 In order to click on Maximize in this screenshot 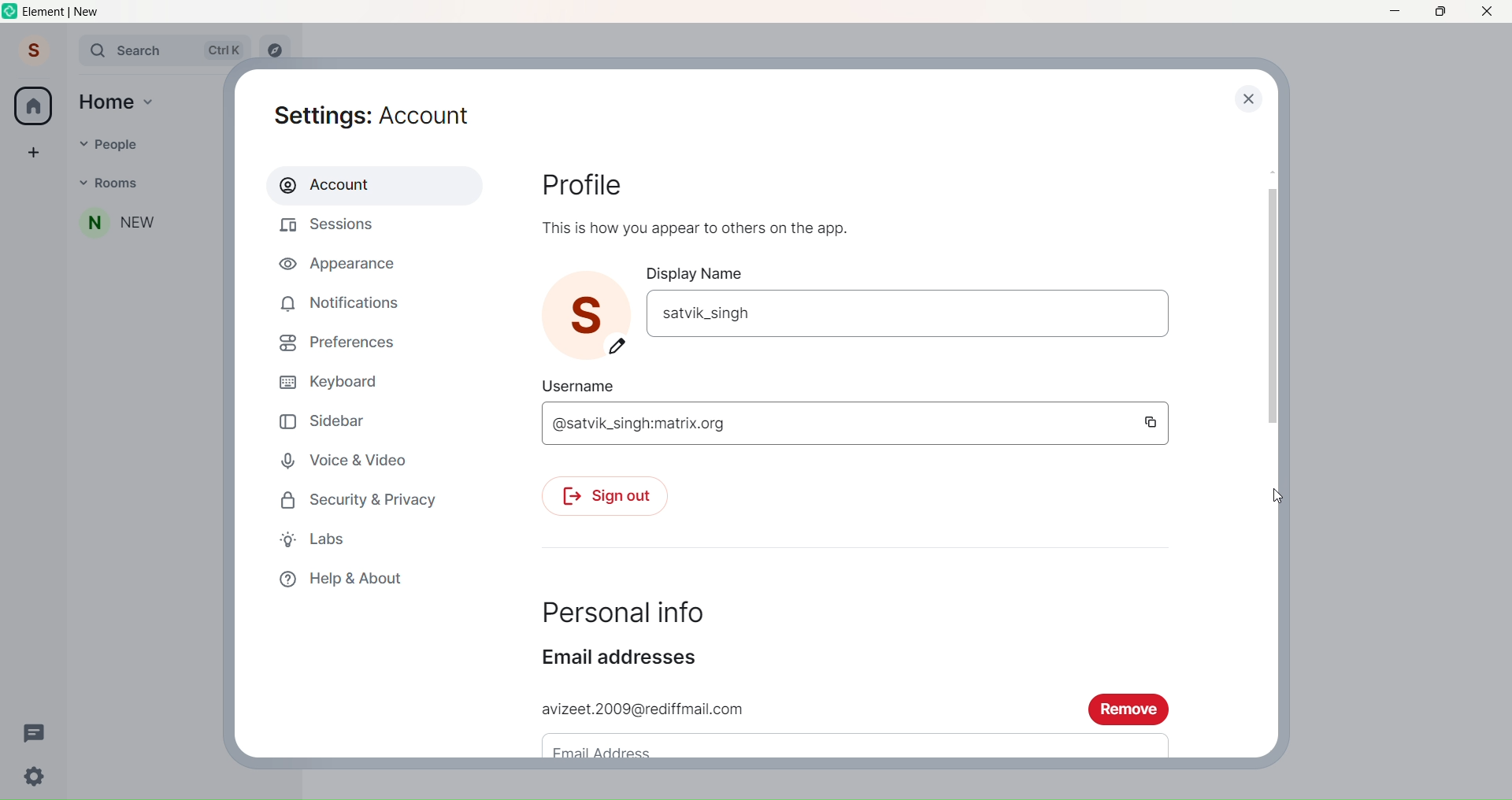, I will do `click(1437, 13)`.